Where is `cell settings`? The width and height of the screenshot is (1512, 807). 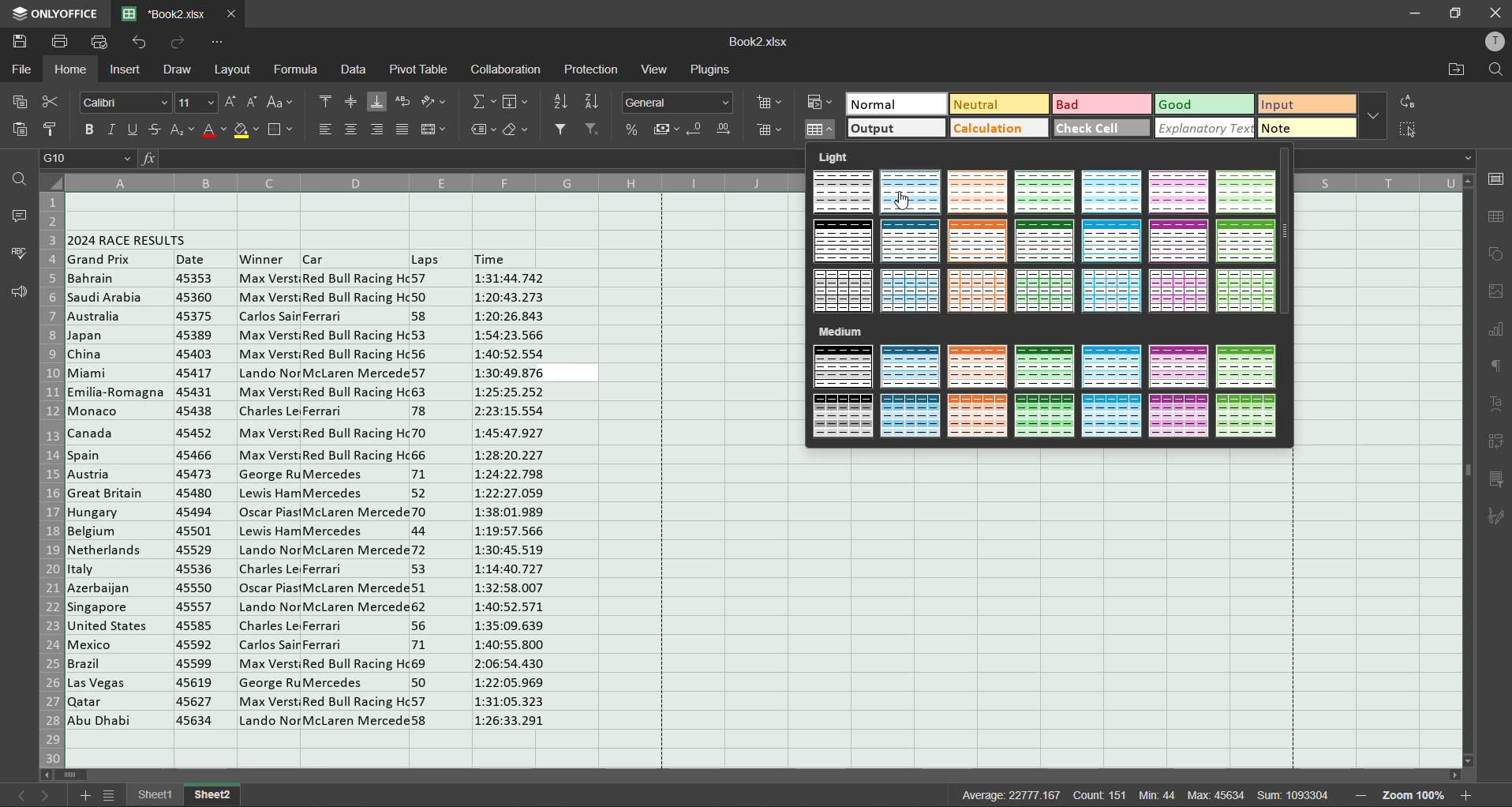 cell settings is located at coordinates (1497, 179).